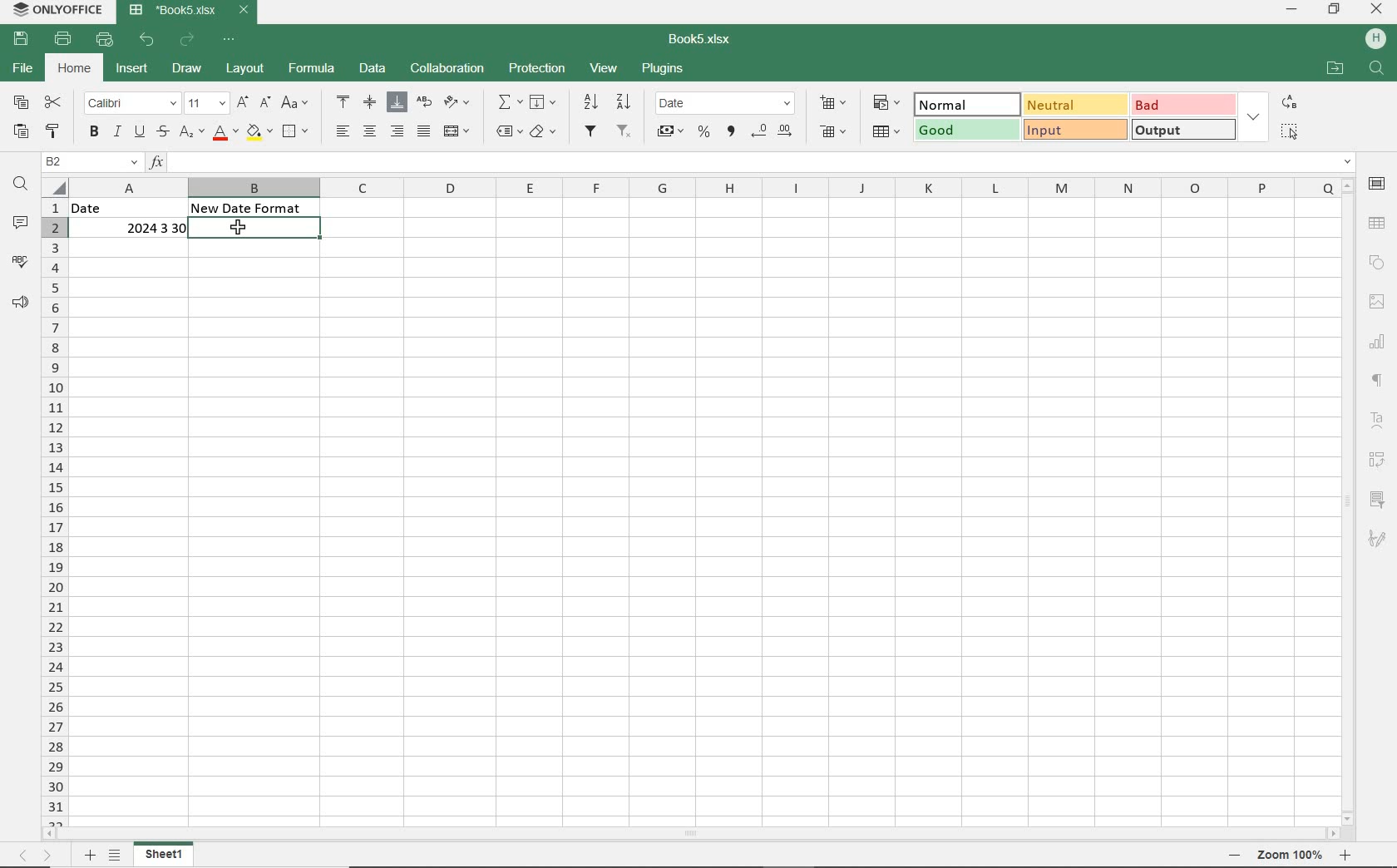 This screenshot has height=868, width=1397. Describe the element at coordinates (370, 132) in the screenshot. I see `ALIGN CENTER` at that location.